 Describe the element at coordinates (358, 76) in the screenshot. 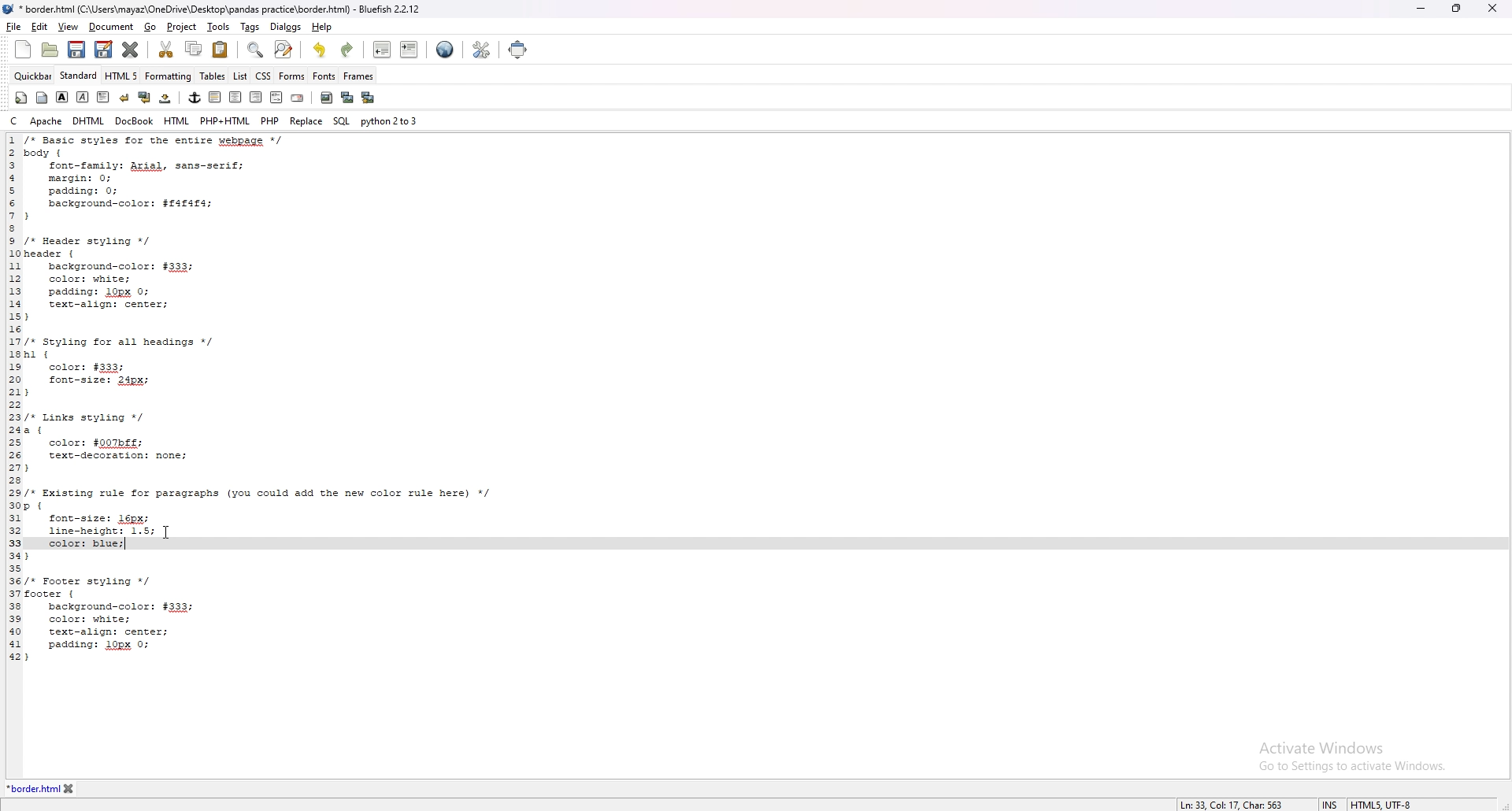

I see `frames` at that location.